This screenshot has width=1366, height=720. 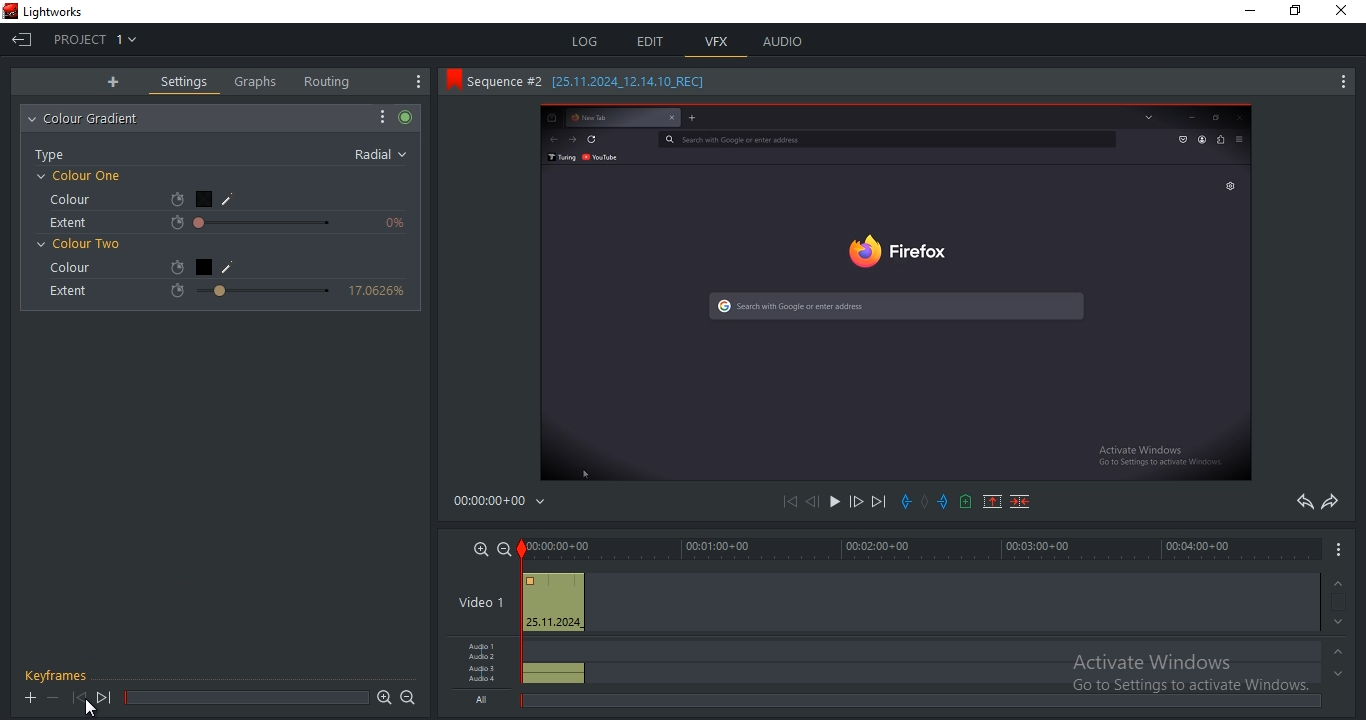 What do you see at coordinates (70, 223) in the screenshot?
I see `extent` at bounding box center [70, 223].